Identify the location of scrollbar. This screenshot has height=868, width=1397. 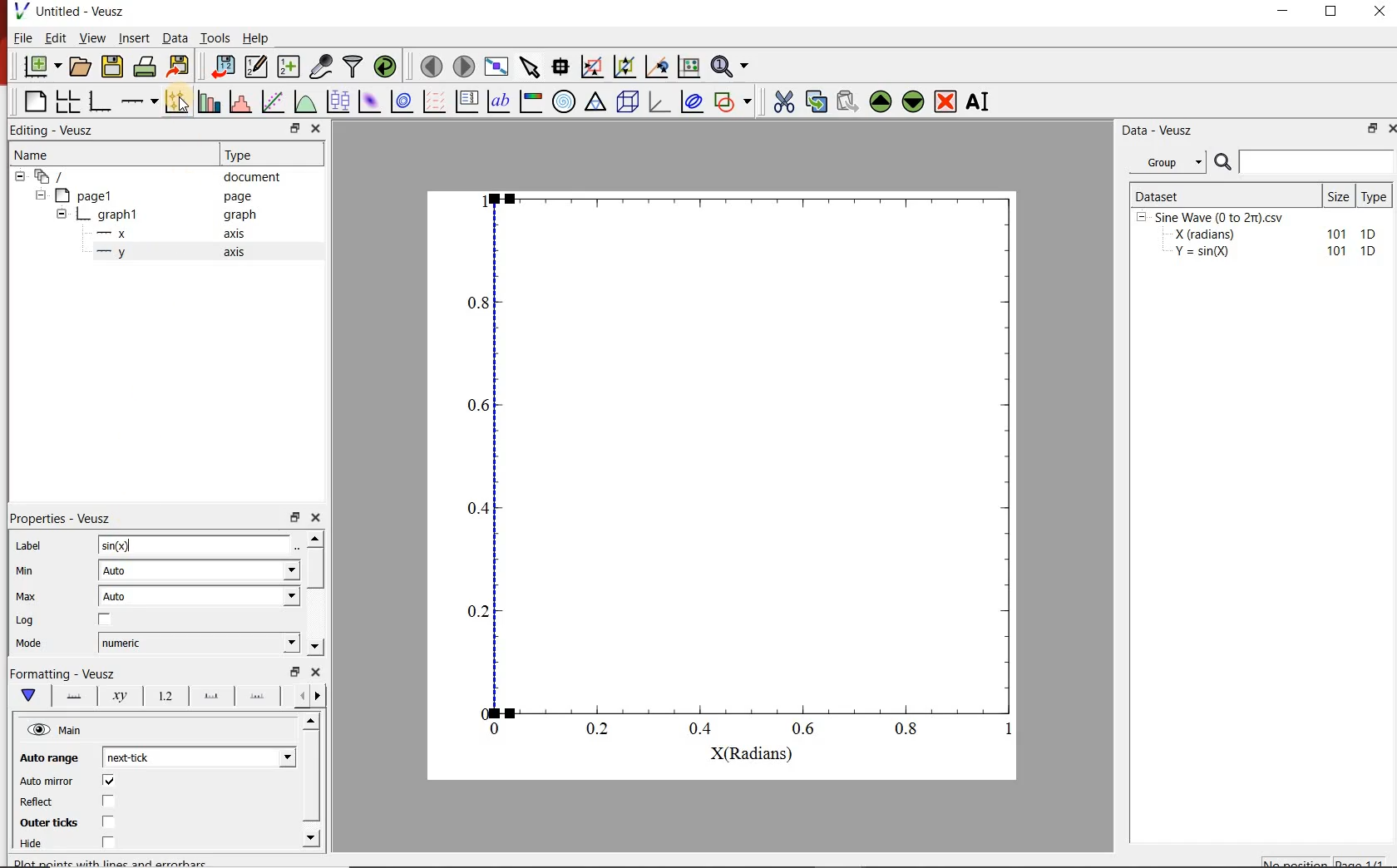
(317, 570).